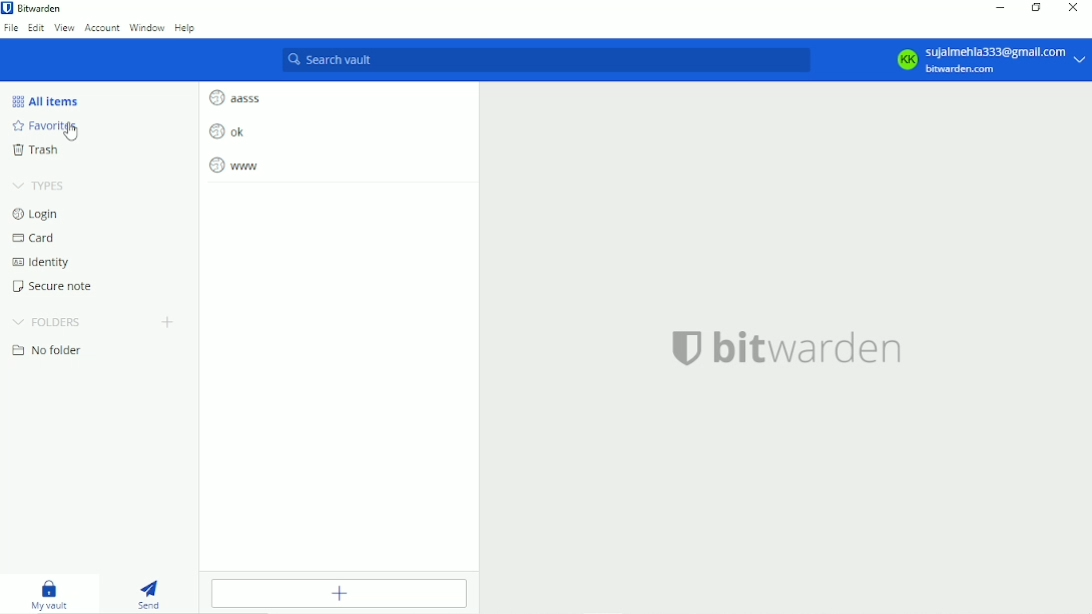 The width and height of the screenshot is (1092, 614). Describe the element at coordinates (337, 593) in the screenshot. I see `Add item` at that location.